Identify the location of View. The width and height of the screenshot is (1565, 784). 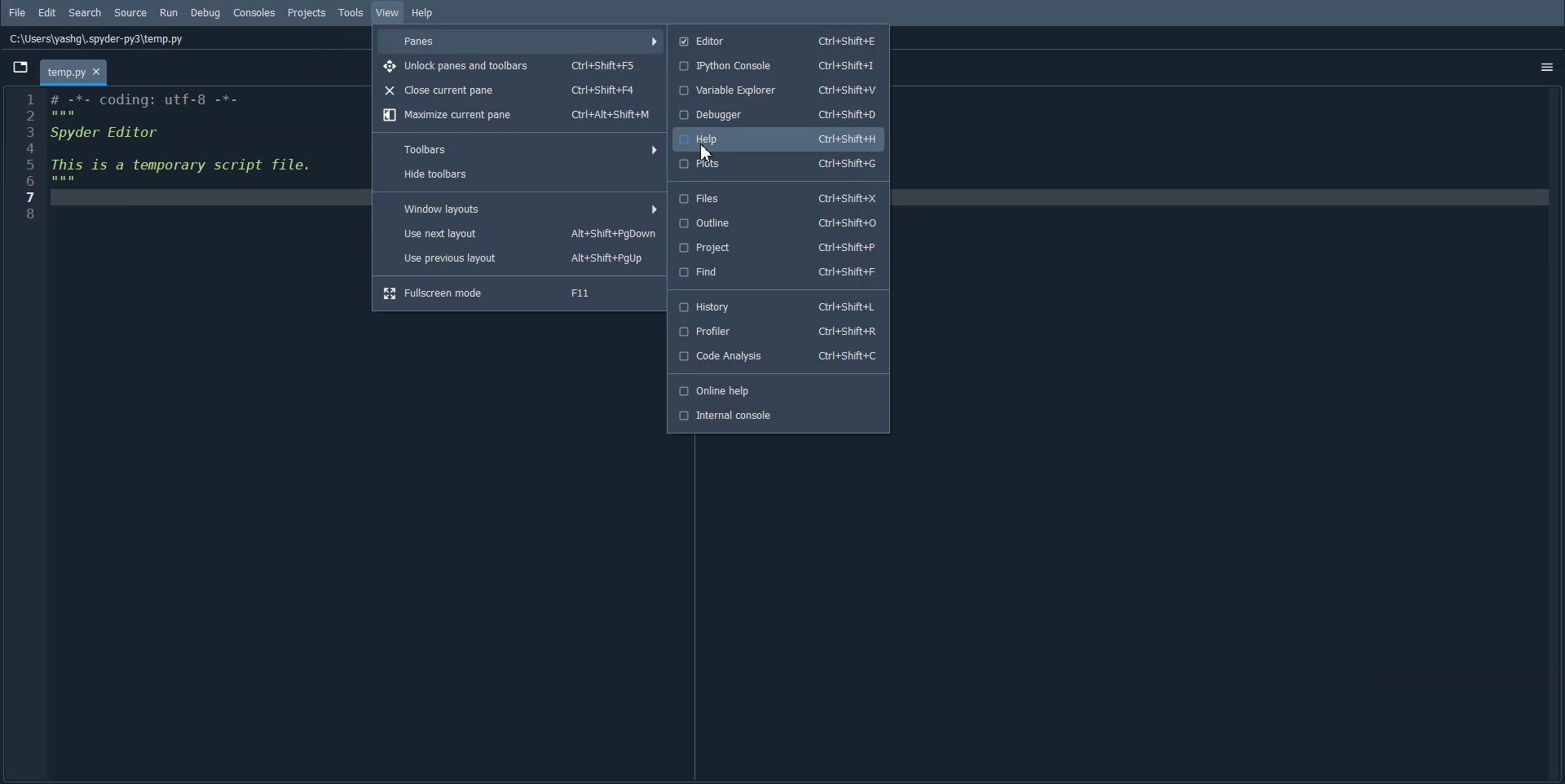
(388, 12).